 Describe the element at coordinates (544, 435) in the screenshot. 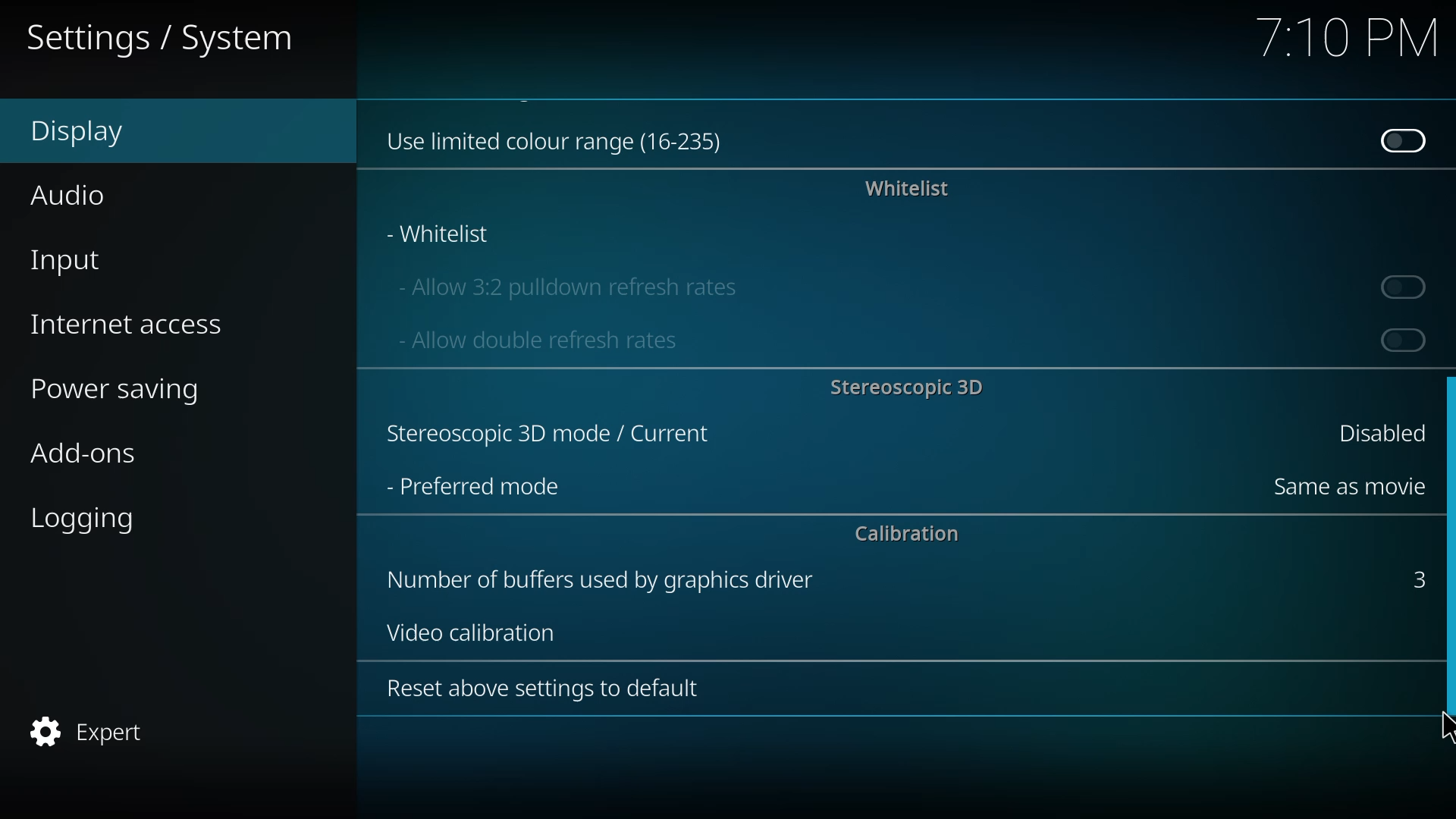

I see `stereoscopic 3d` at that location.